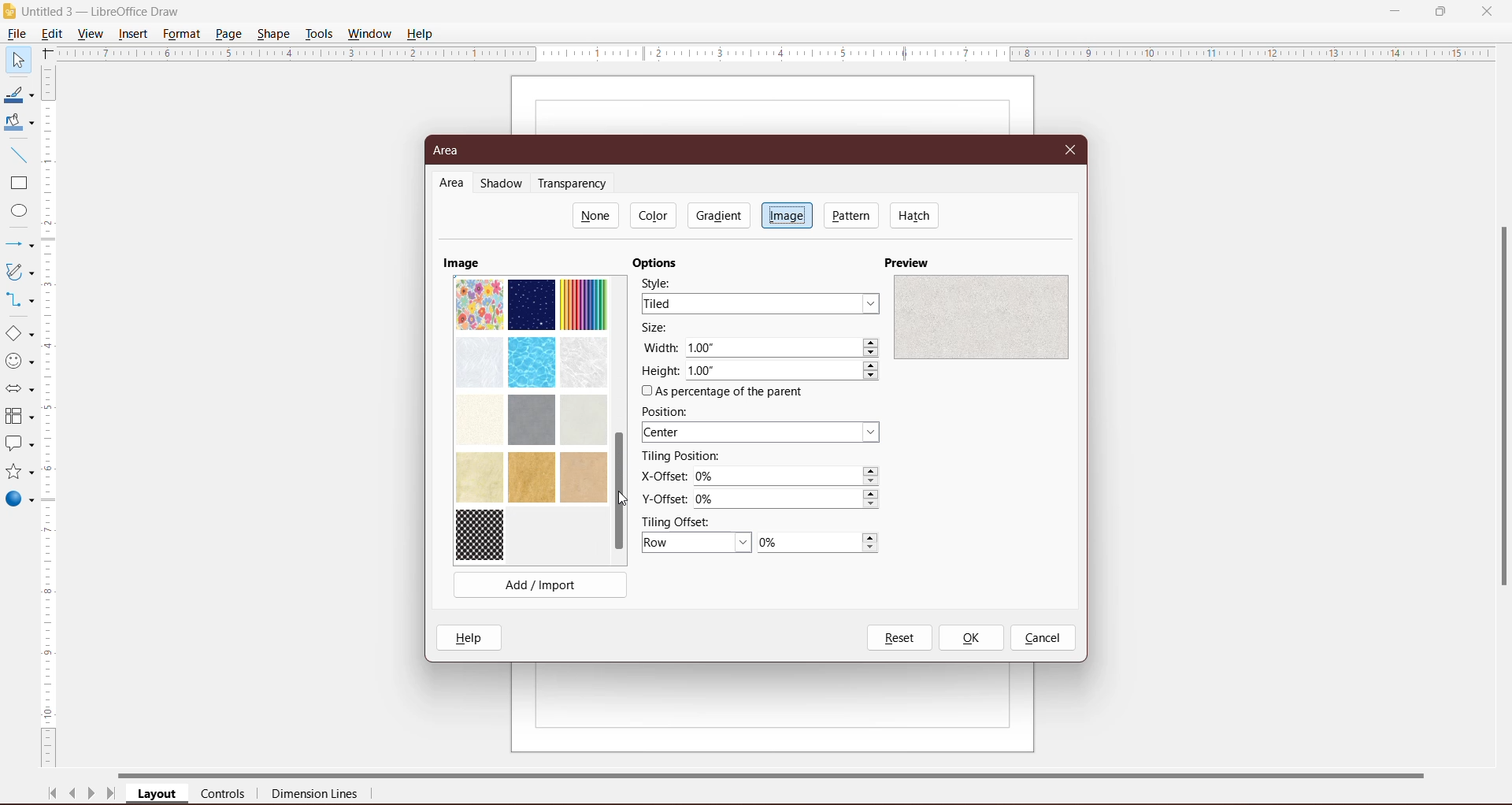 This screenshot has height=805, width=1512. What do you see at coordinates (461, 262) in the screenshot?
I see `Image` at bounding box center [461, 262].